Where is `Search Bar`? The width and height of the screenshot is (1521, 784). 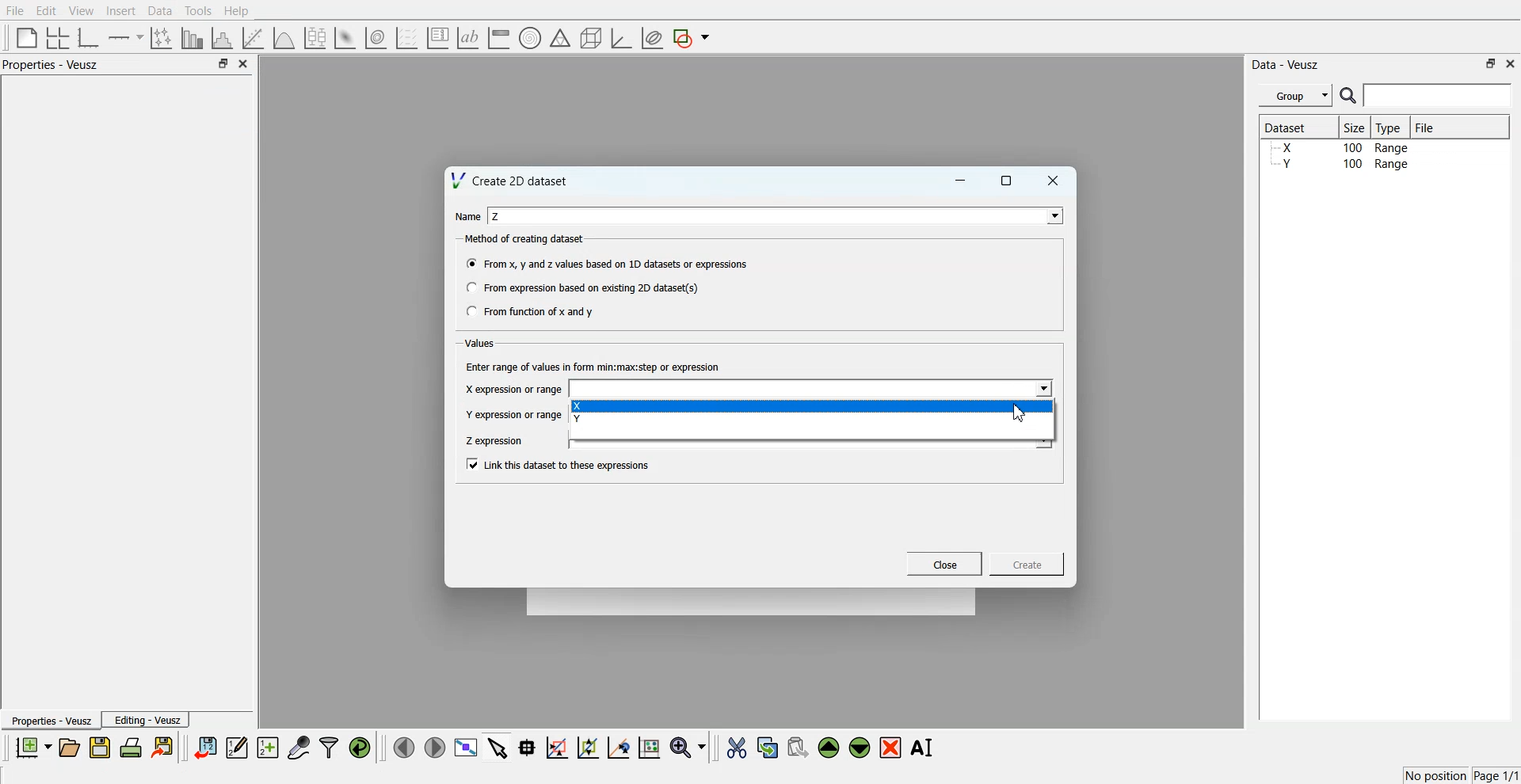
Search Bar is located at coordinates (1427, 95).